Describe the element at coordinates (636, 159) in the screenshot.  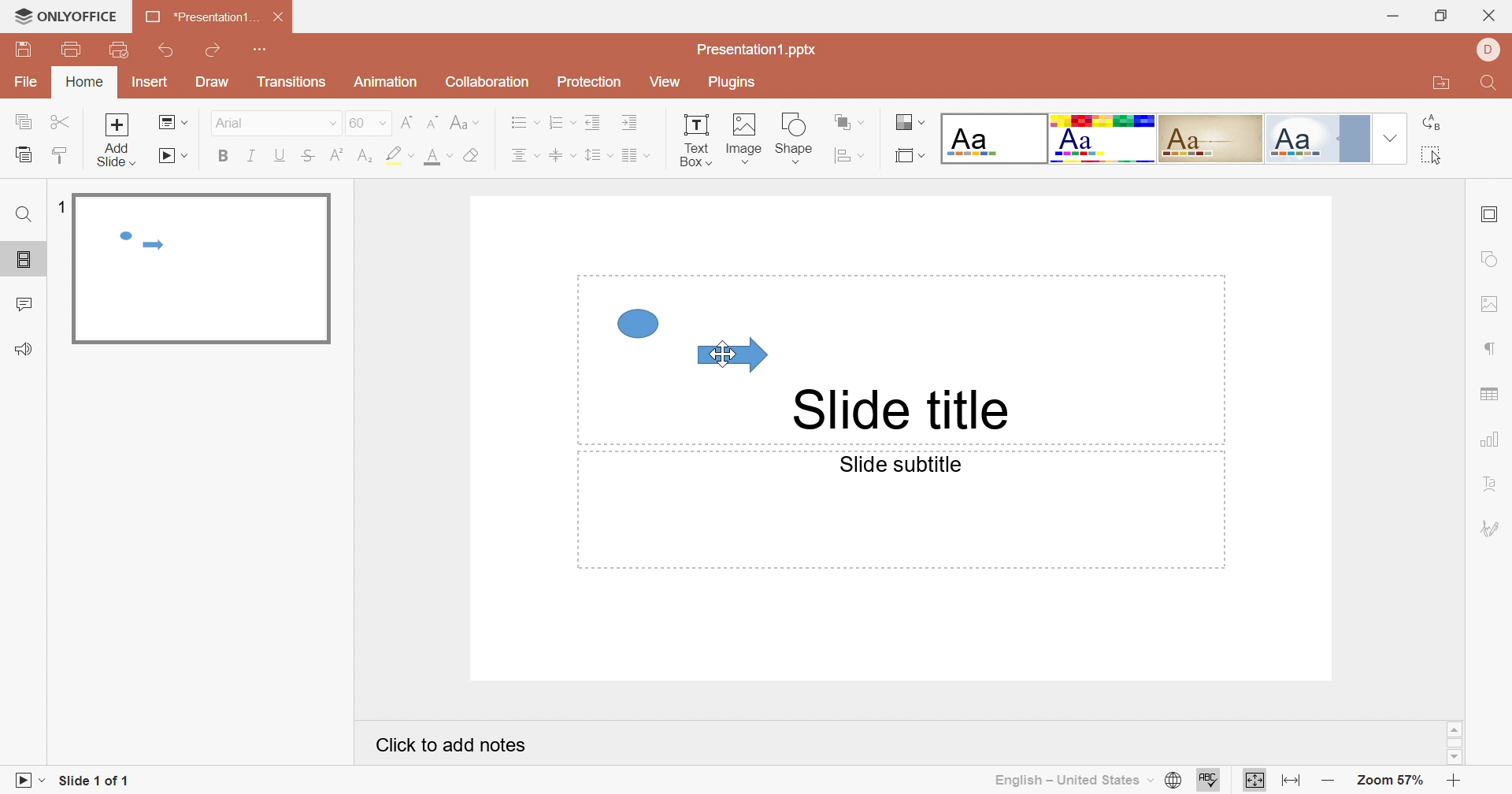
I see `Insert columns` at that location.